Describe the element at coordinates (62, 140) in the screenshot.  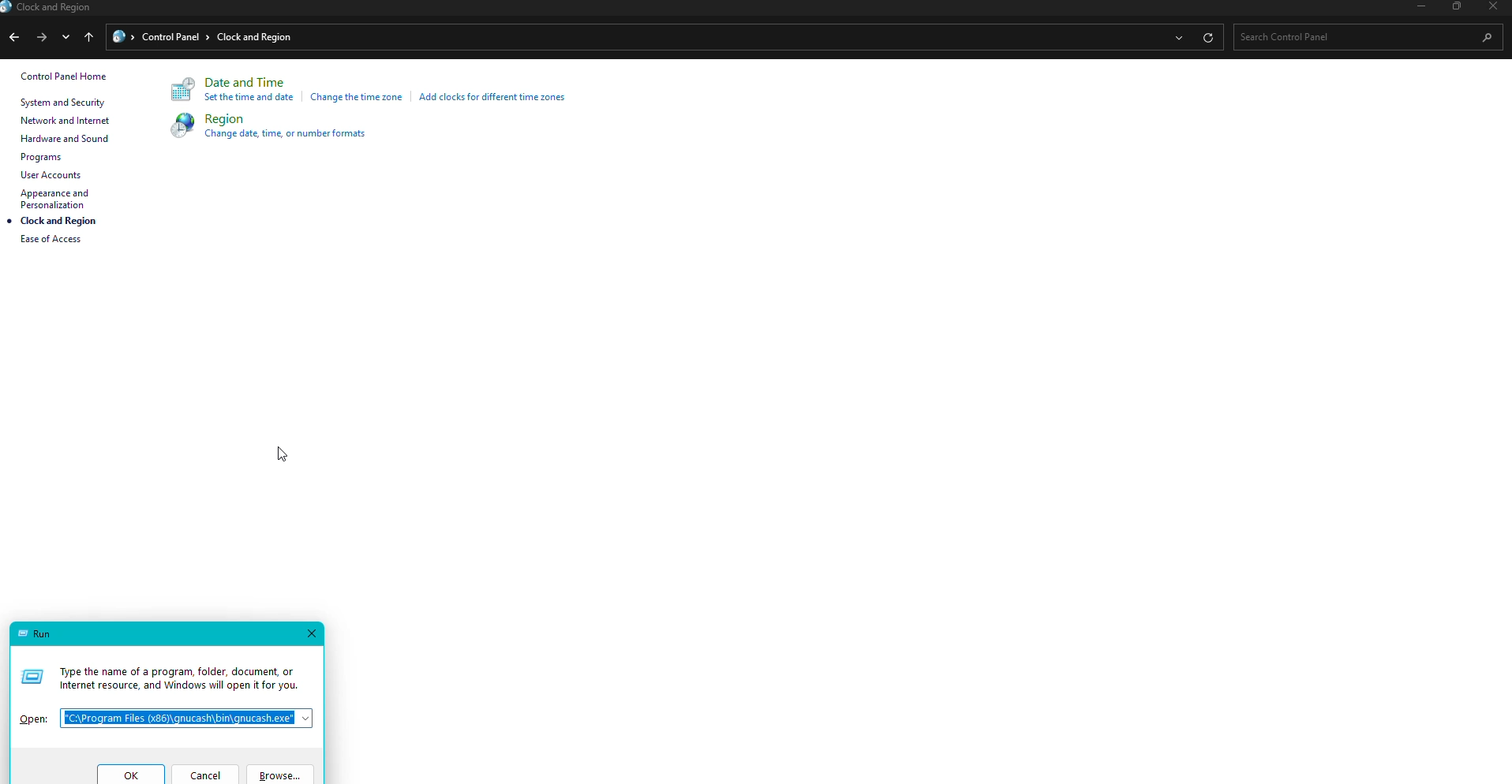
I see `Hardware and sound` at that location.